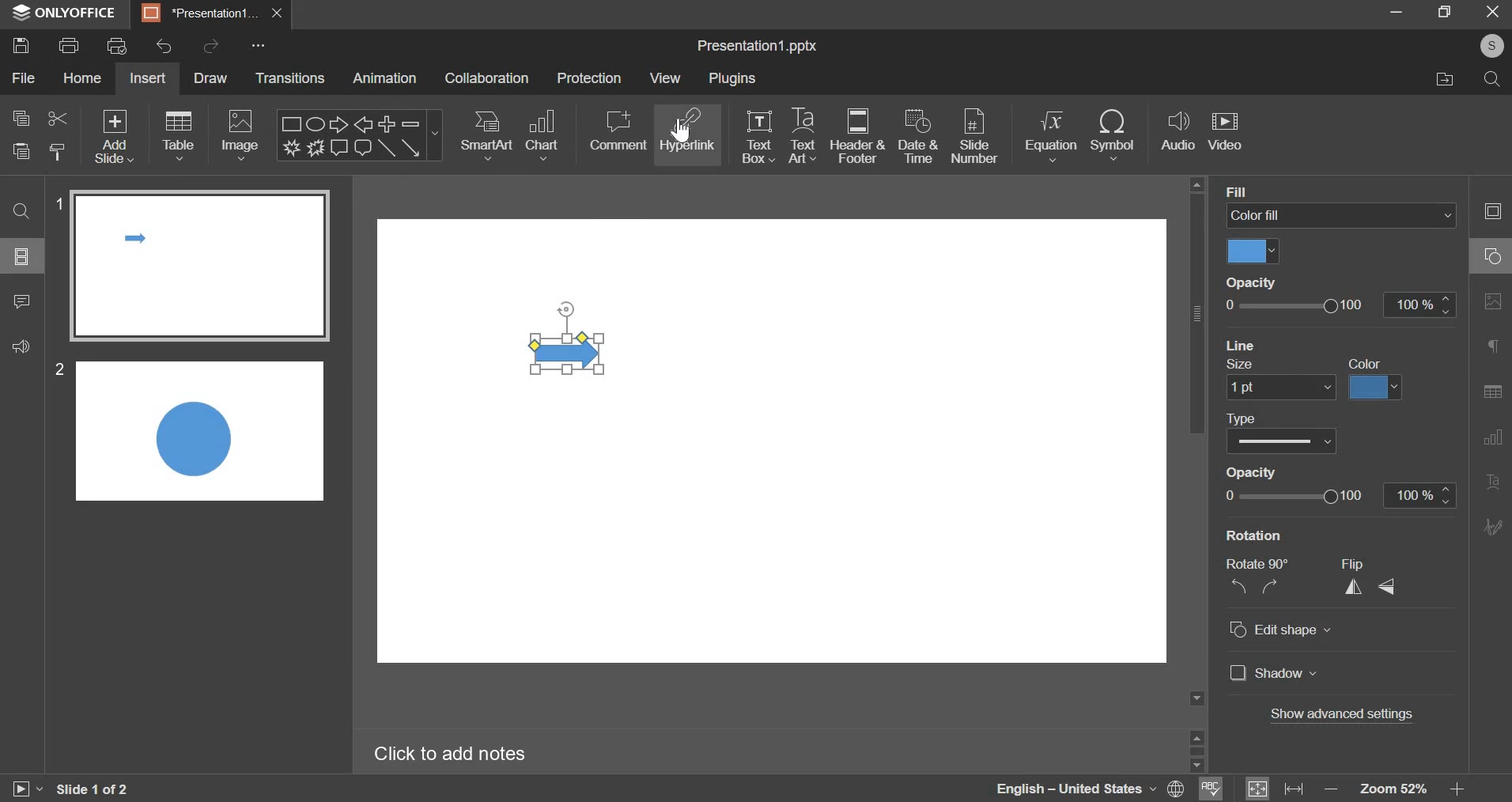  What do you see at coordinates (1090, 789) in the screenshot?
I see `selected language` at bounding box center [1090, 789].